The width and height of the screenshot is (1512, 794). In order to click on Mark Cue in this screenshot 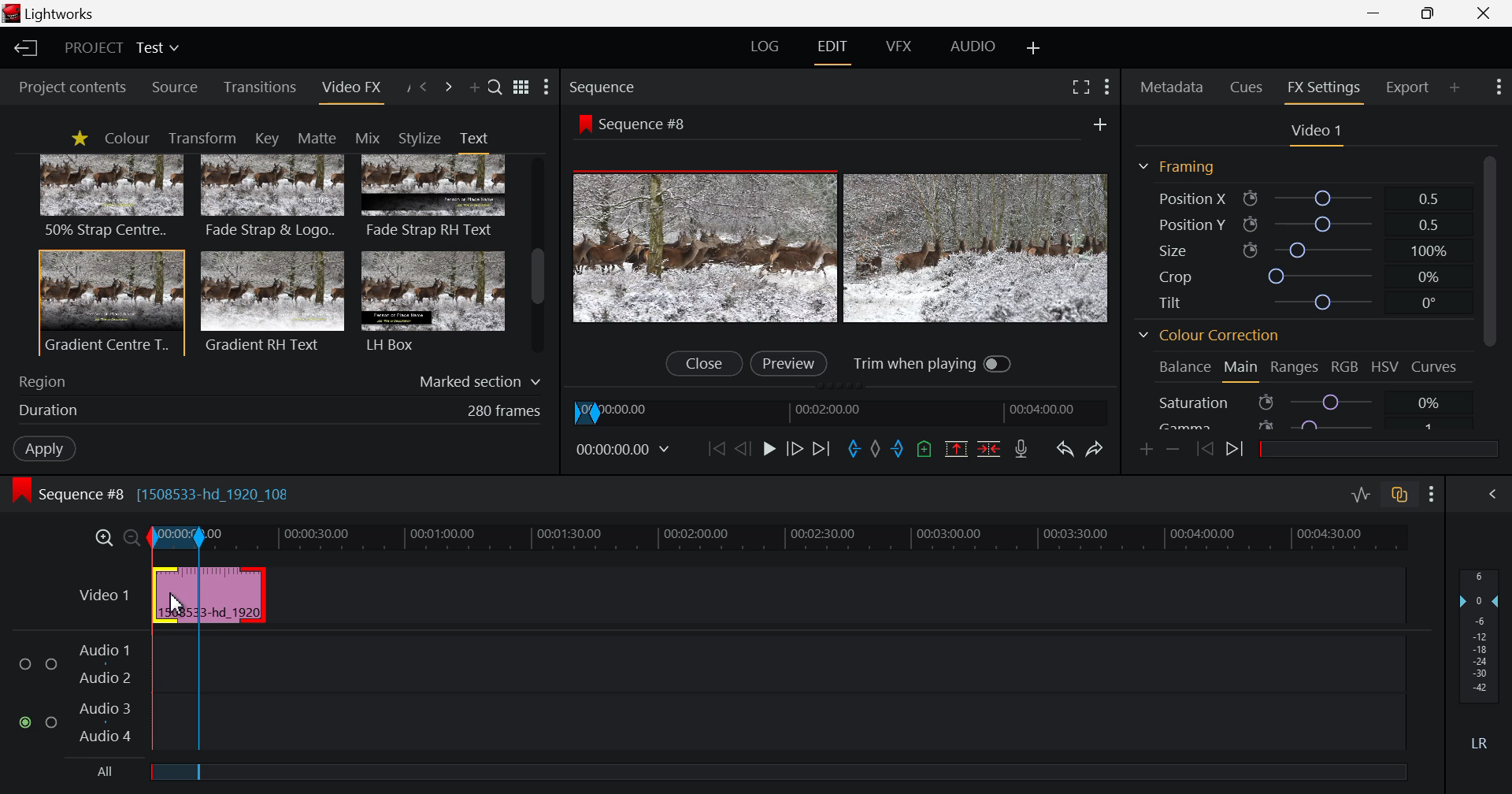, I will do `click(925, 450)`.